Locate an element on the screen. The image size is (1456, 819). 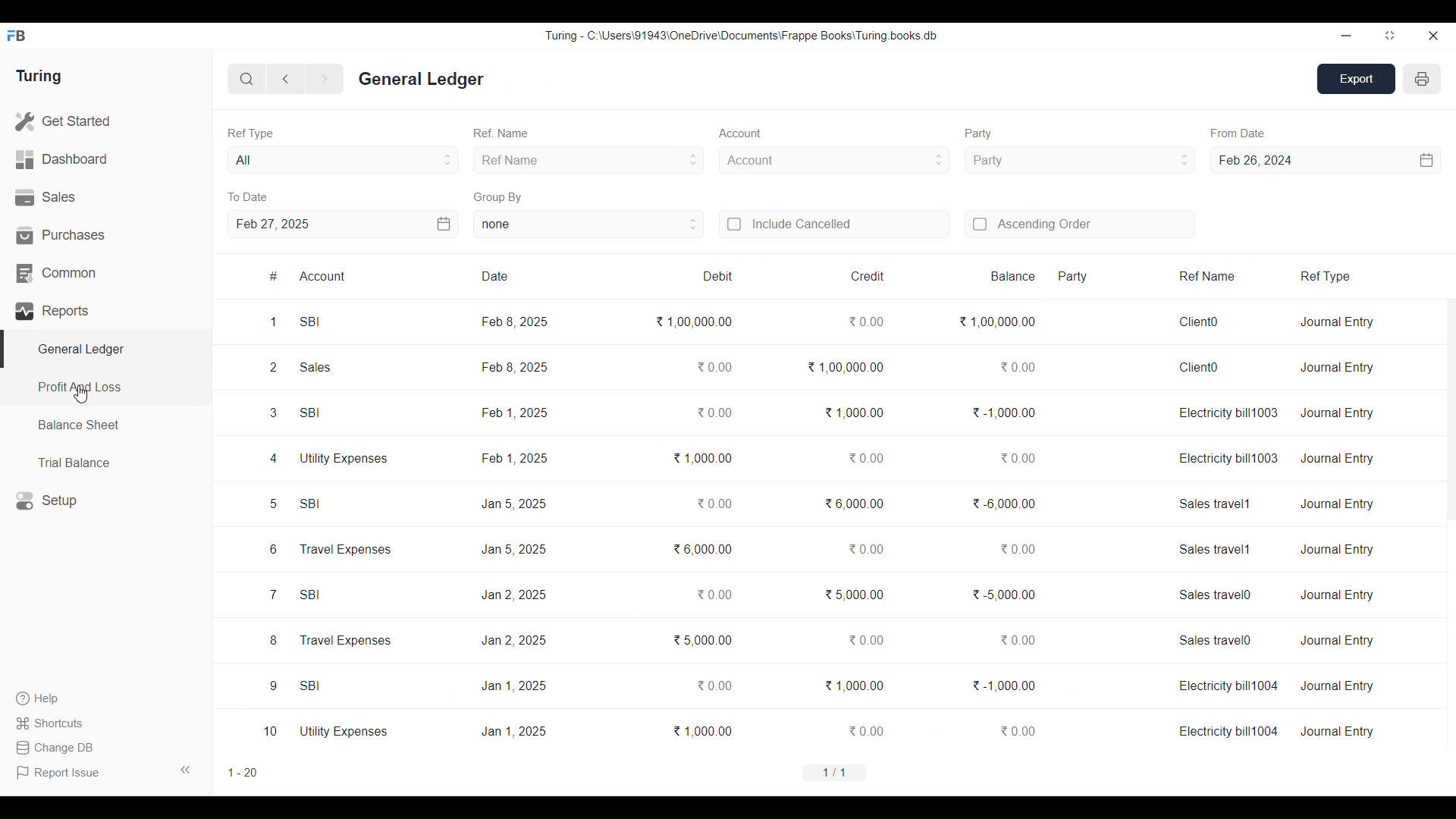
Journal Entry is located at coordinates (1336, 367).